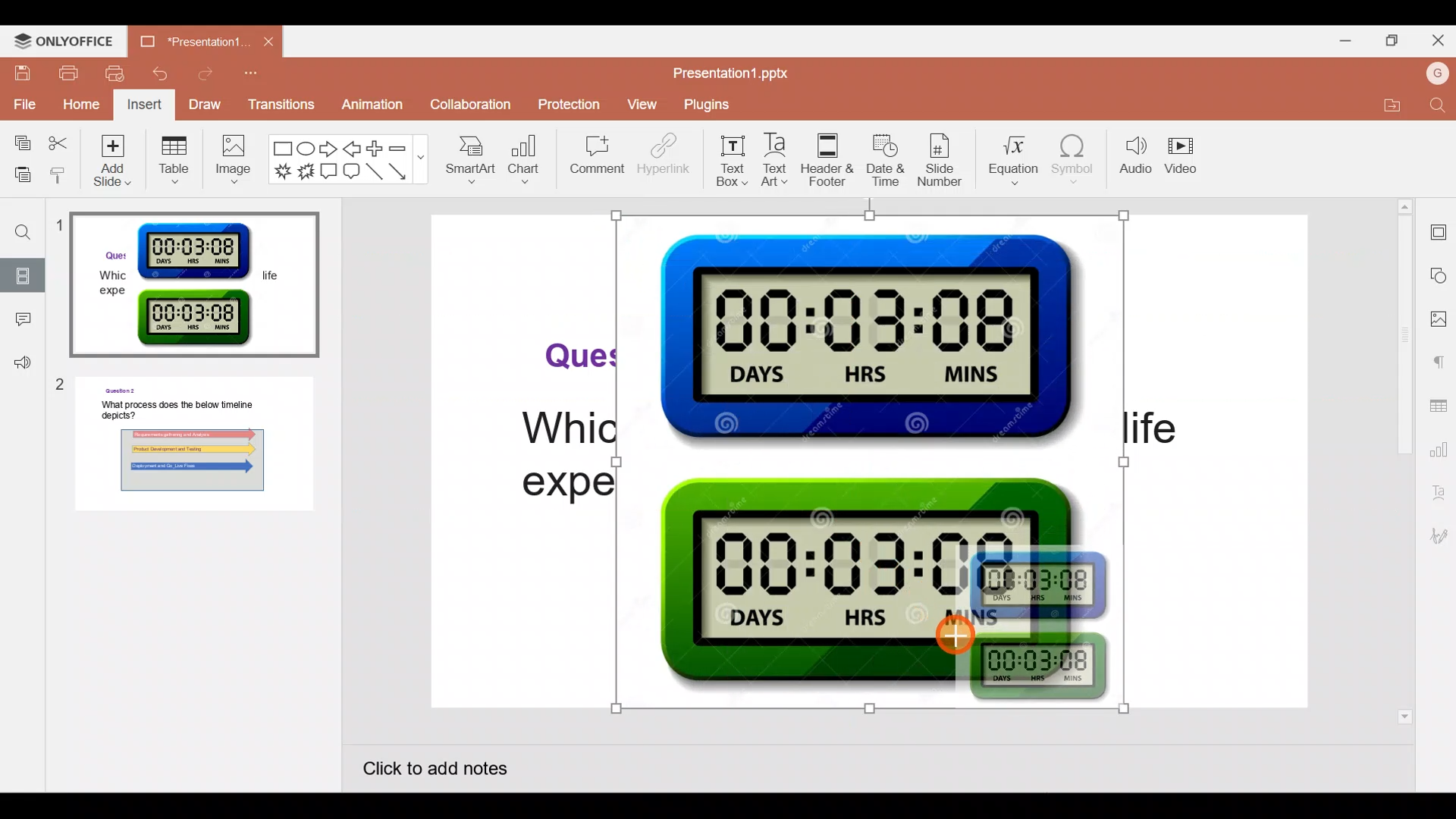 The image size is (1456, 819). Describe the element at coordinates (24, 76) in the screenshot. I see `Save` at that location.